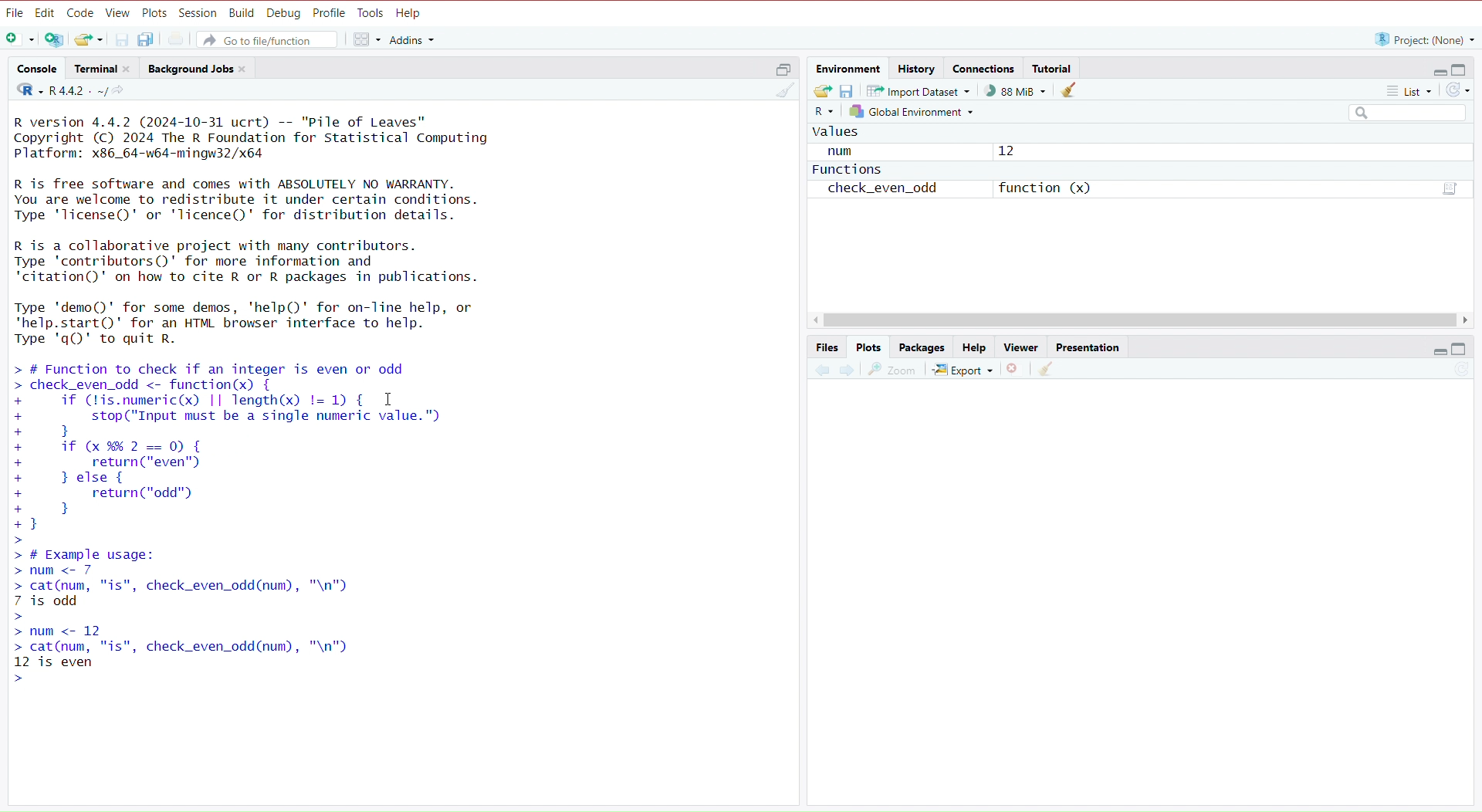 The height and width of the screenshot is (812, 1482). Describe the element at coordinates (847, 172) in the screenshot. I see `functions` at that location.